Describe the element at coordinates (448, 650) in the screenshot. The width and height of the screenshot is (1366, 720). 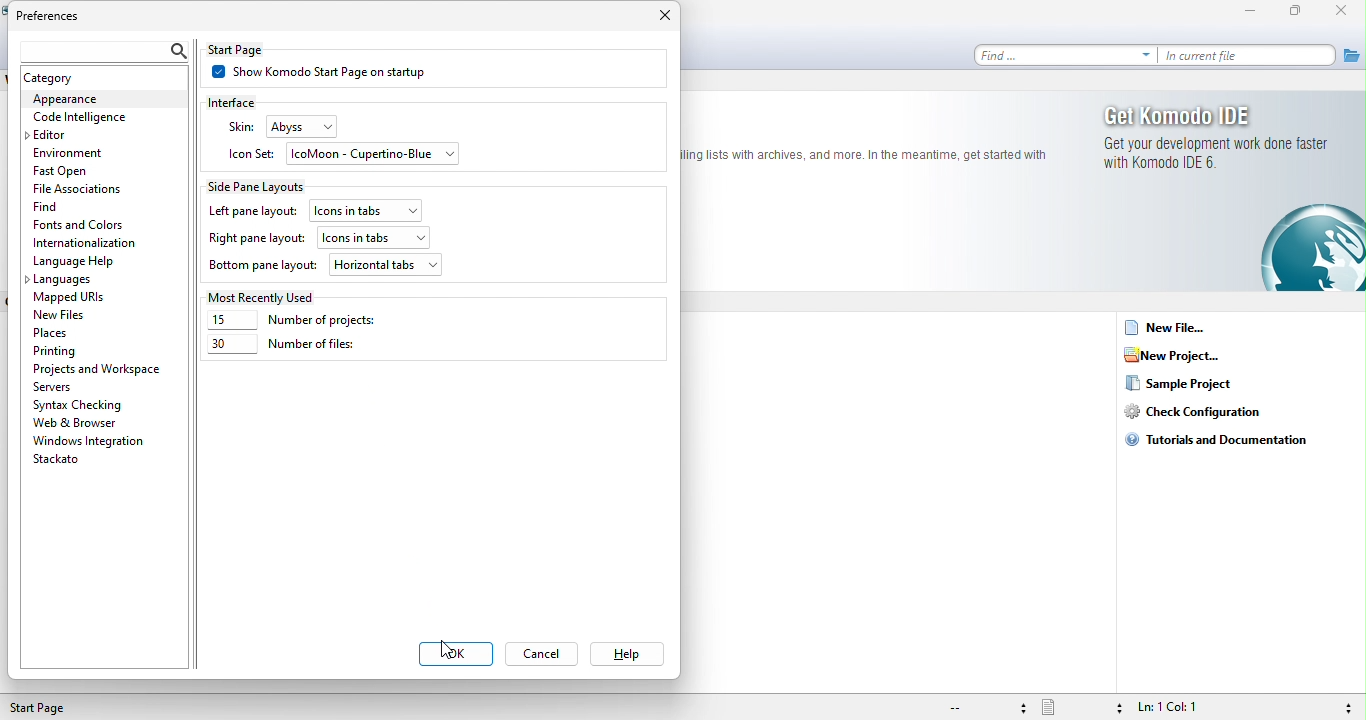
I see `cursor` at that location.